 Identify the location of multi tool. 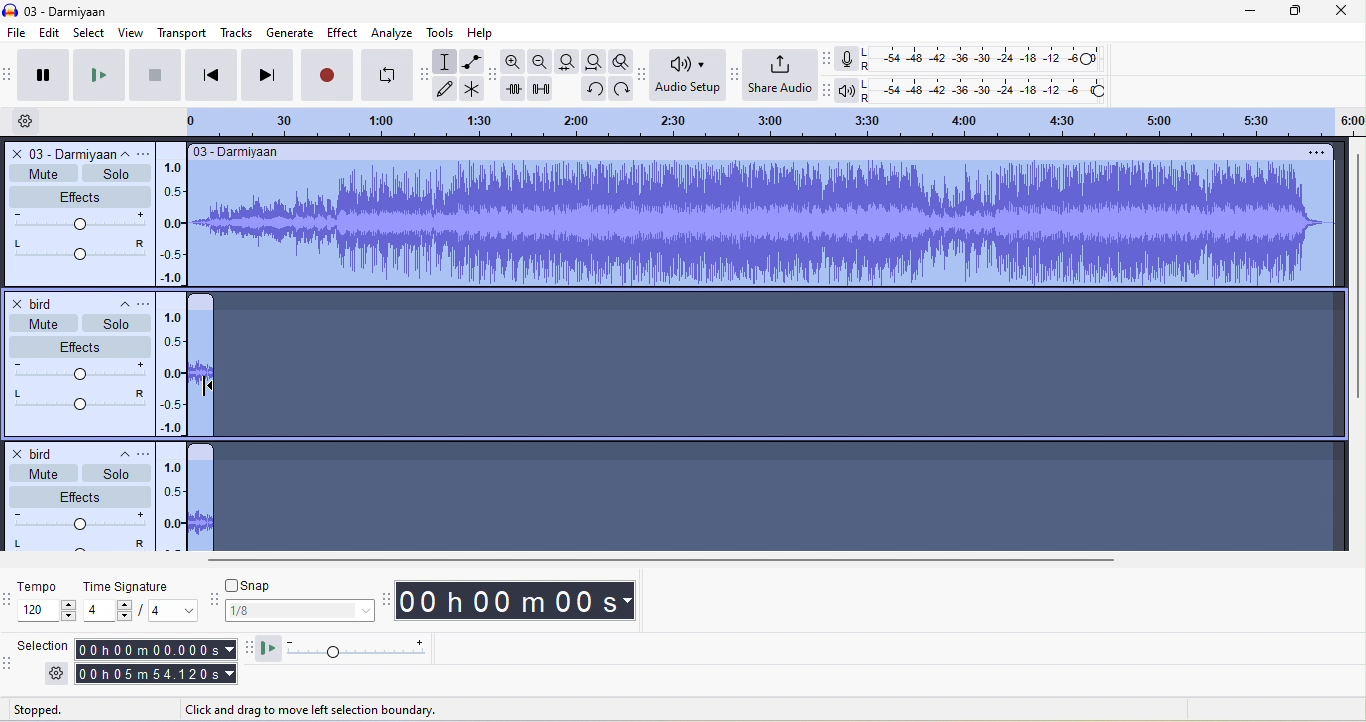
(476, 92).